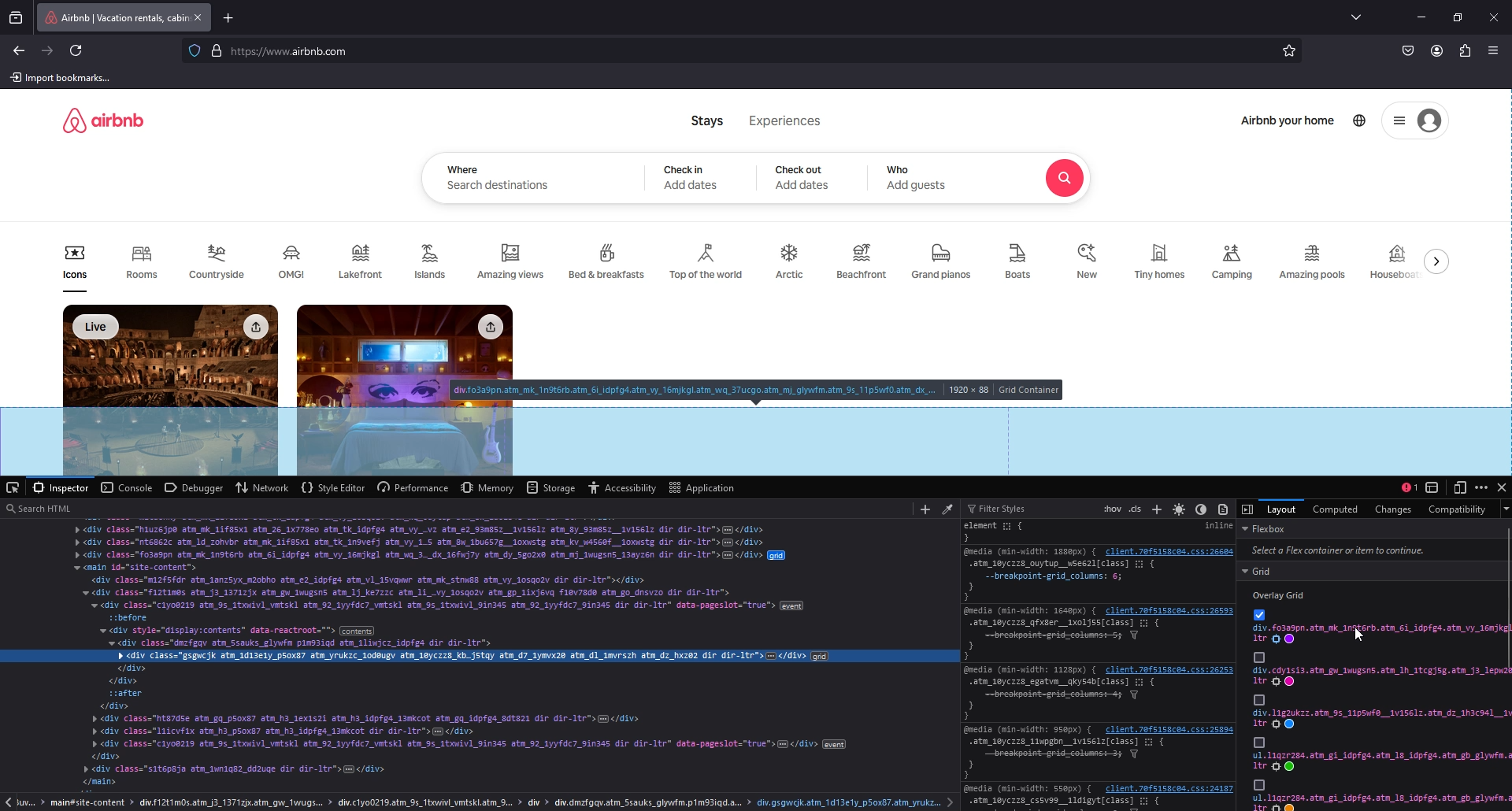  I want to click on Download , so click(254, 327).